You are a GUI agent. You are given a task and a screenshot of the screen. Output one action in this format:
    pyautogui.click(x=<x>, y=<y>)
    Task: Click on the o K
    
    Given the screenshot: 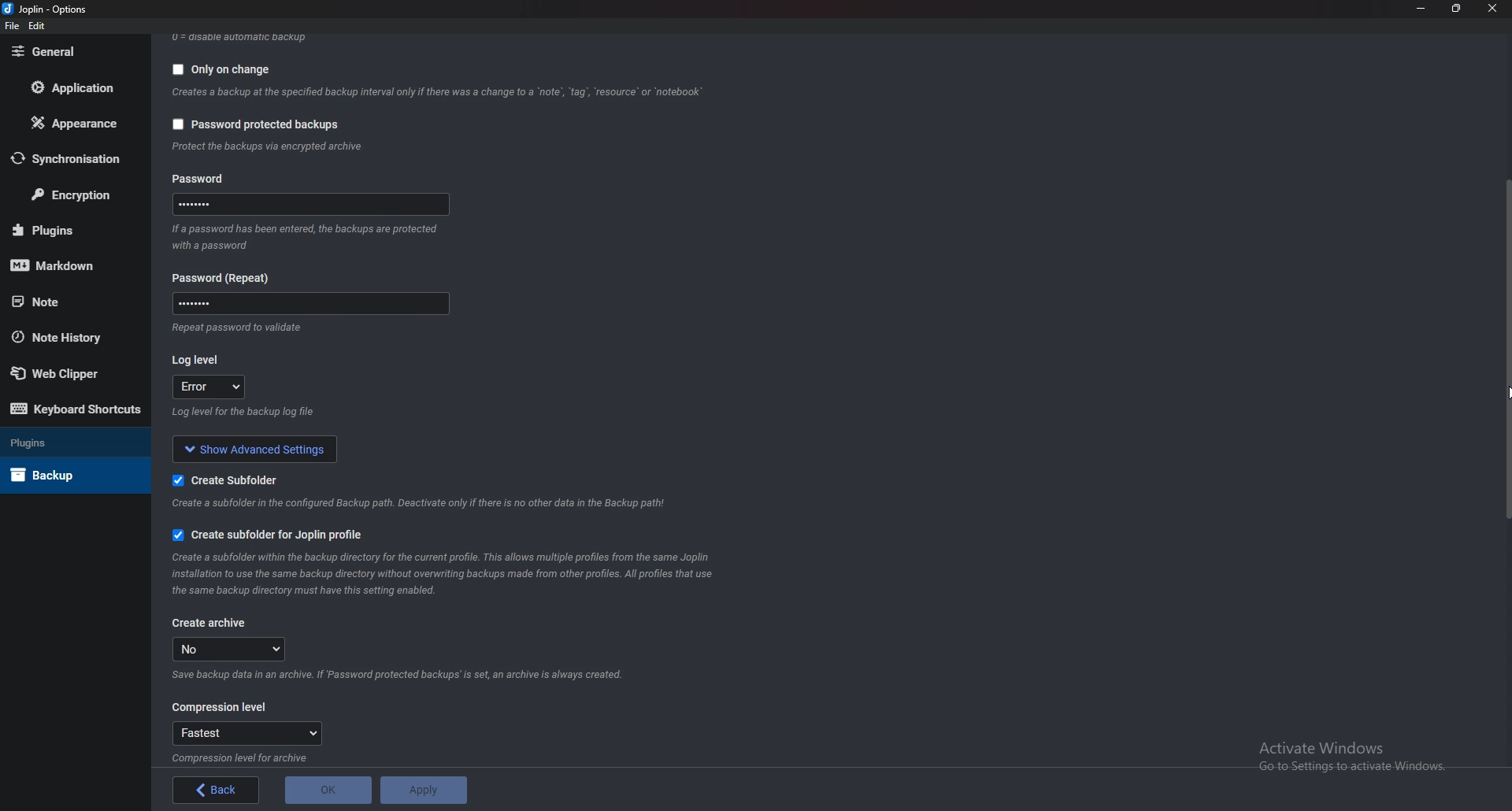 What is the action you would take?
    pyautogui.click(x=330, y=790)
    